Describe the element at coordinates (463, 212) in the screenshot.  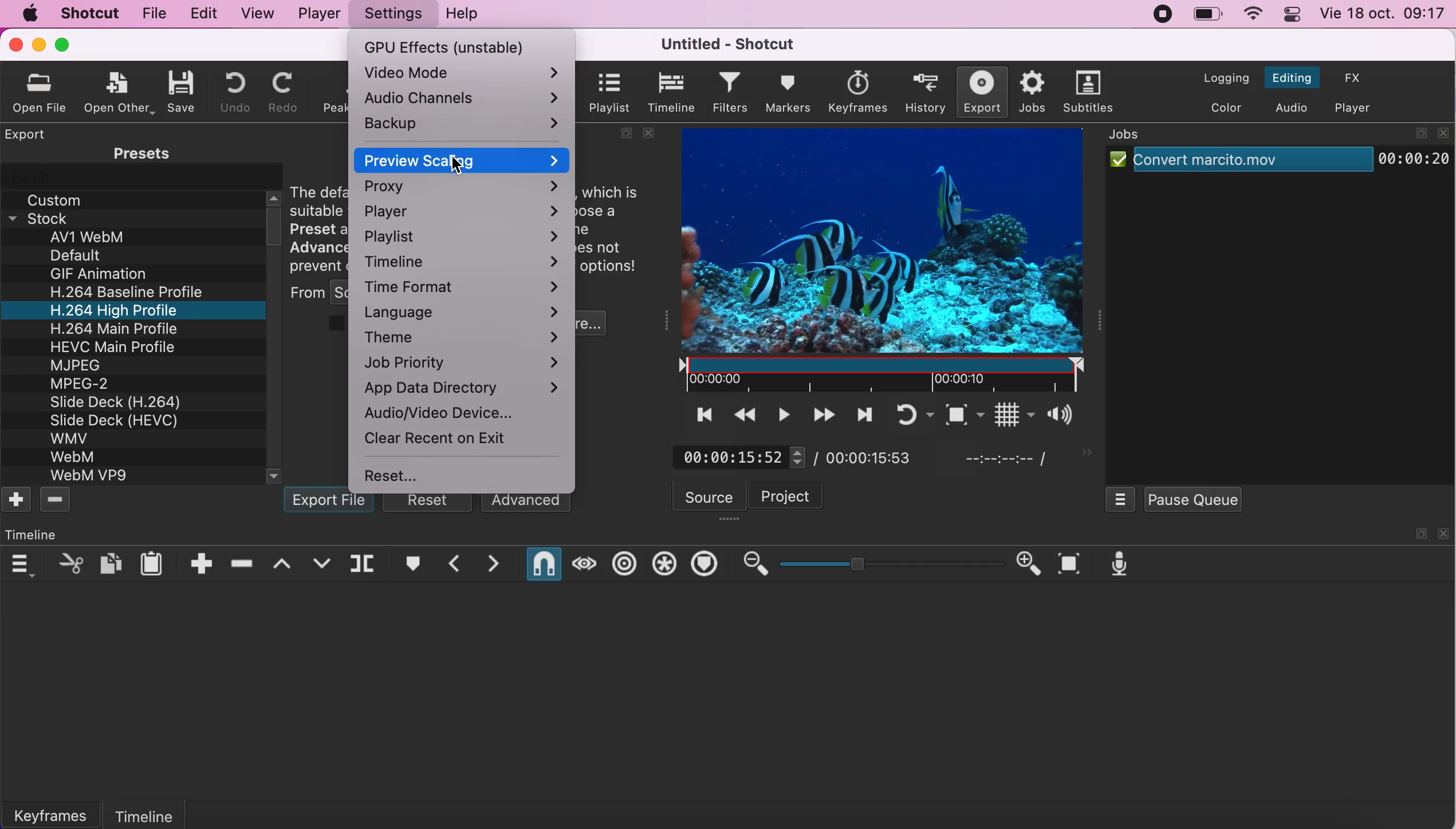
I see `player` at that location.